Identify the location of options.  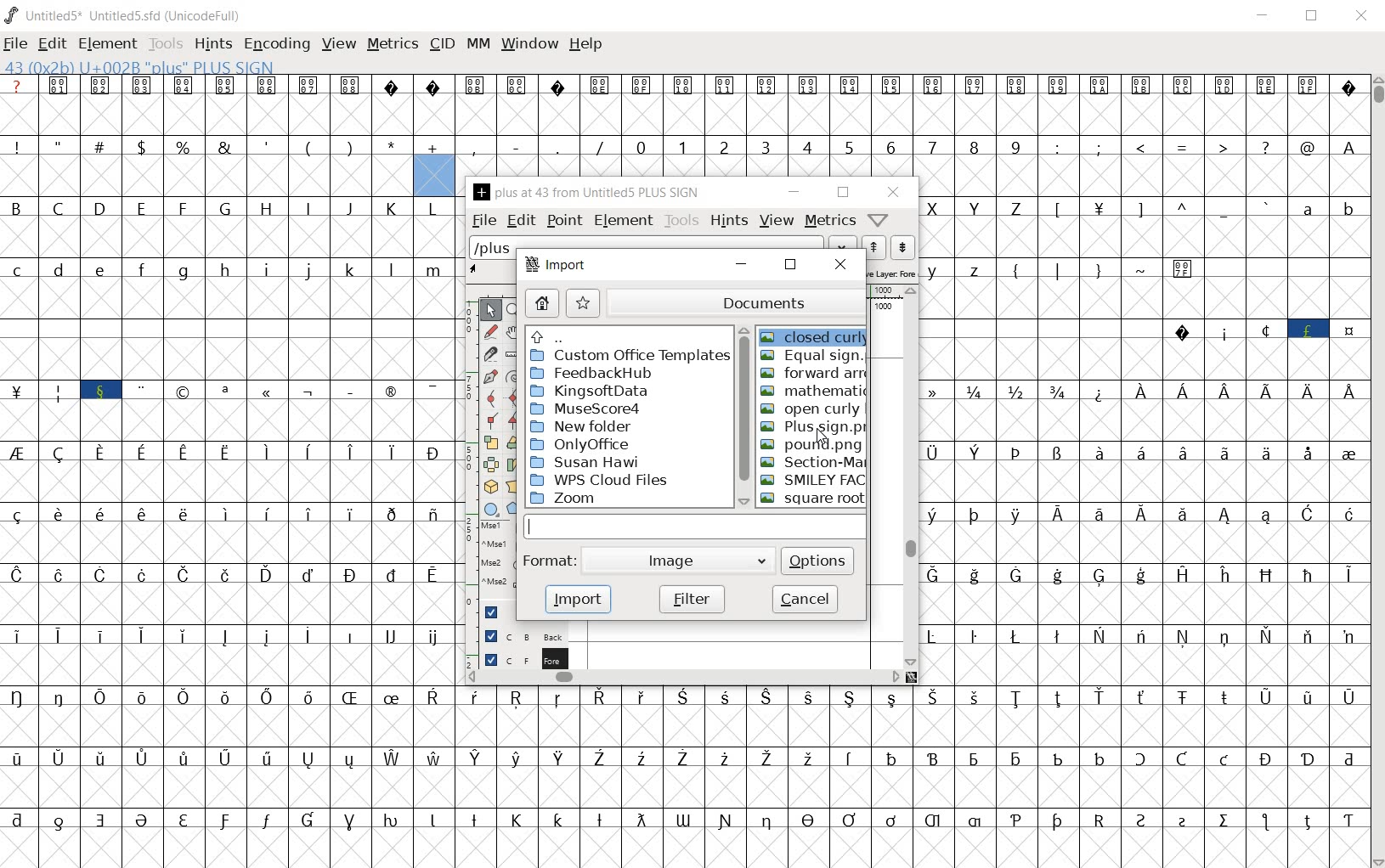
(817, 560).